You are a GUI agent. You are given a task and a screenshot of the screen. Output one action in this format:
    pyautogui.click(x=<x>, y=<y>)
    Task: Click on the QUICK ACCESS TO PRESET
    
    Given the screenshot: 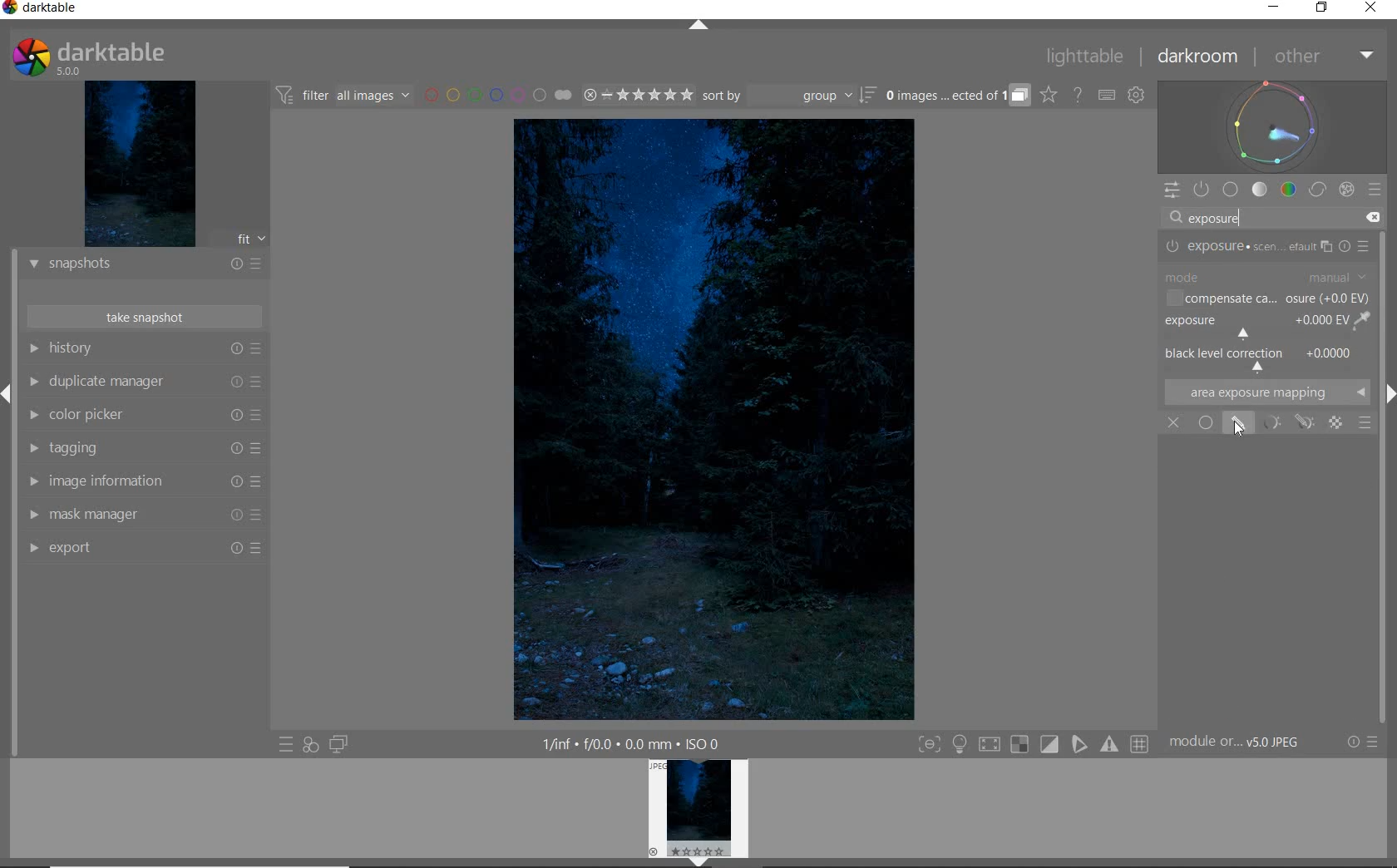 What is the action you would take?
    pyautogui.click(x=287, y=745)
    